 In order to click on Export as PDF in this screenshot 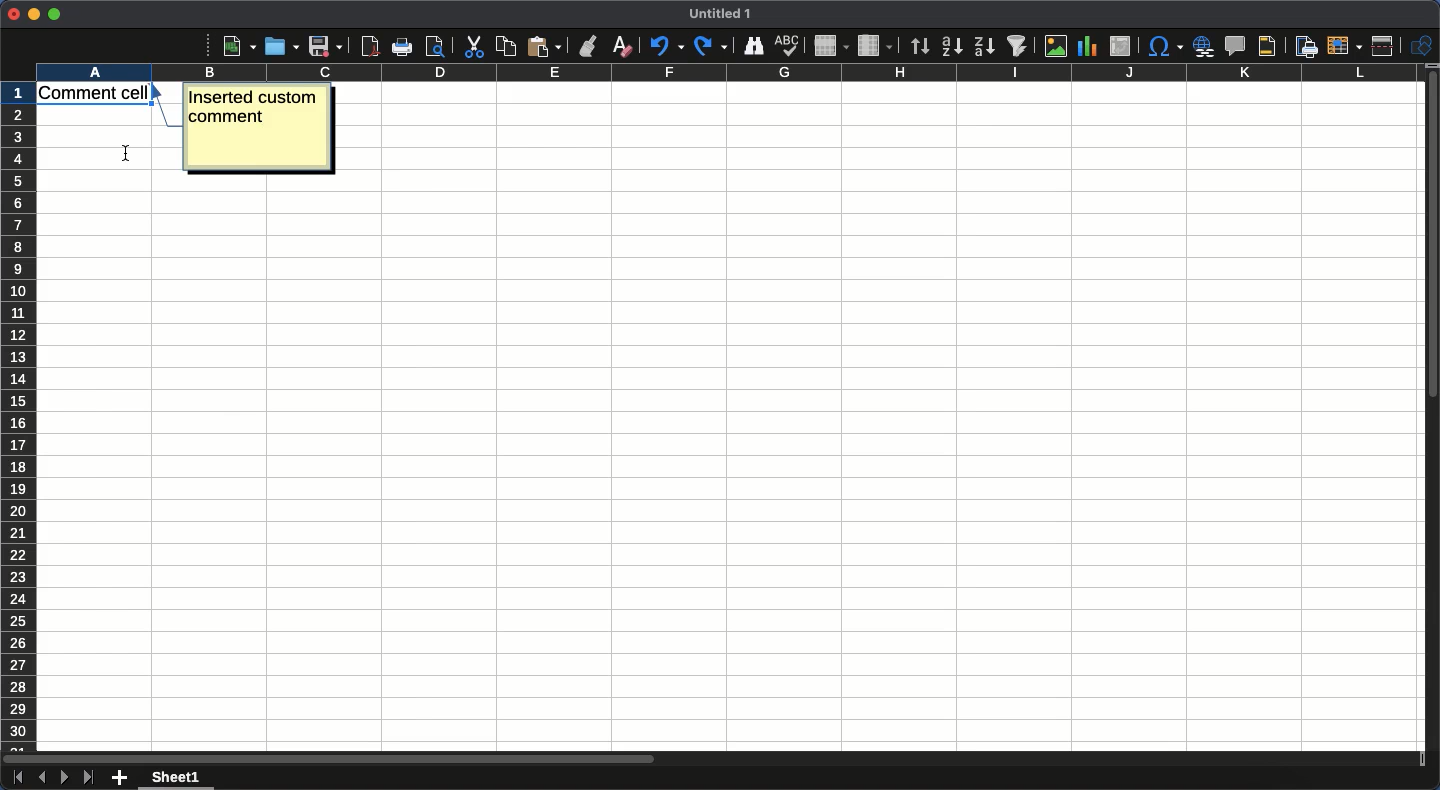, I will do `click(367, 46)`.